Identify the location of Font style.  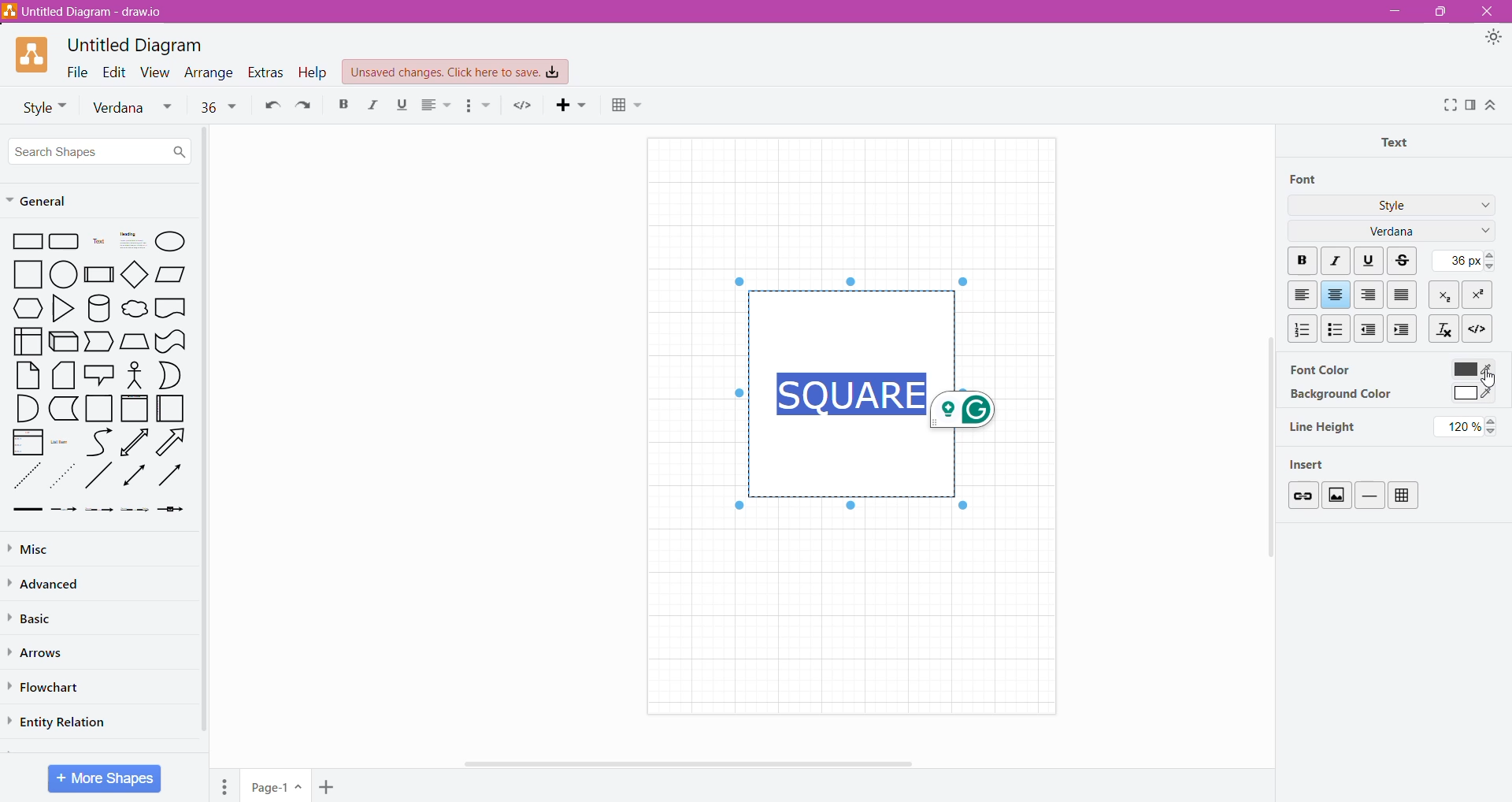
(39, 106).